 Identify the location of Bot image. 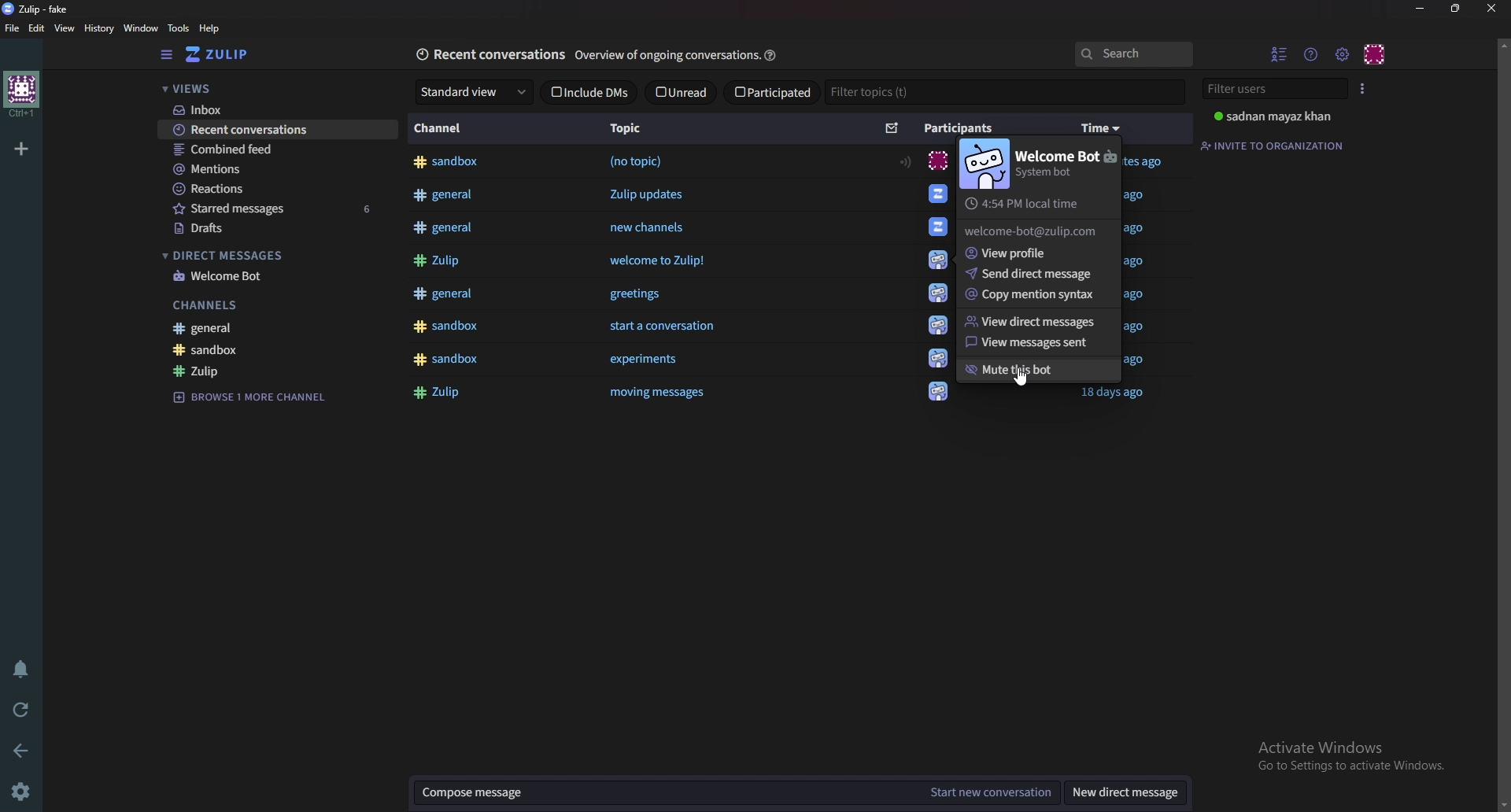
(983, 164).